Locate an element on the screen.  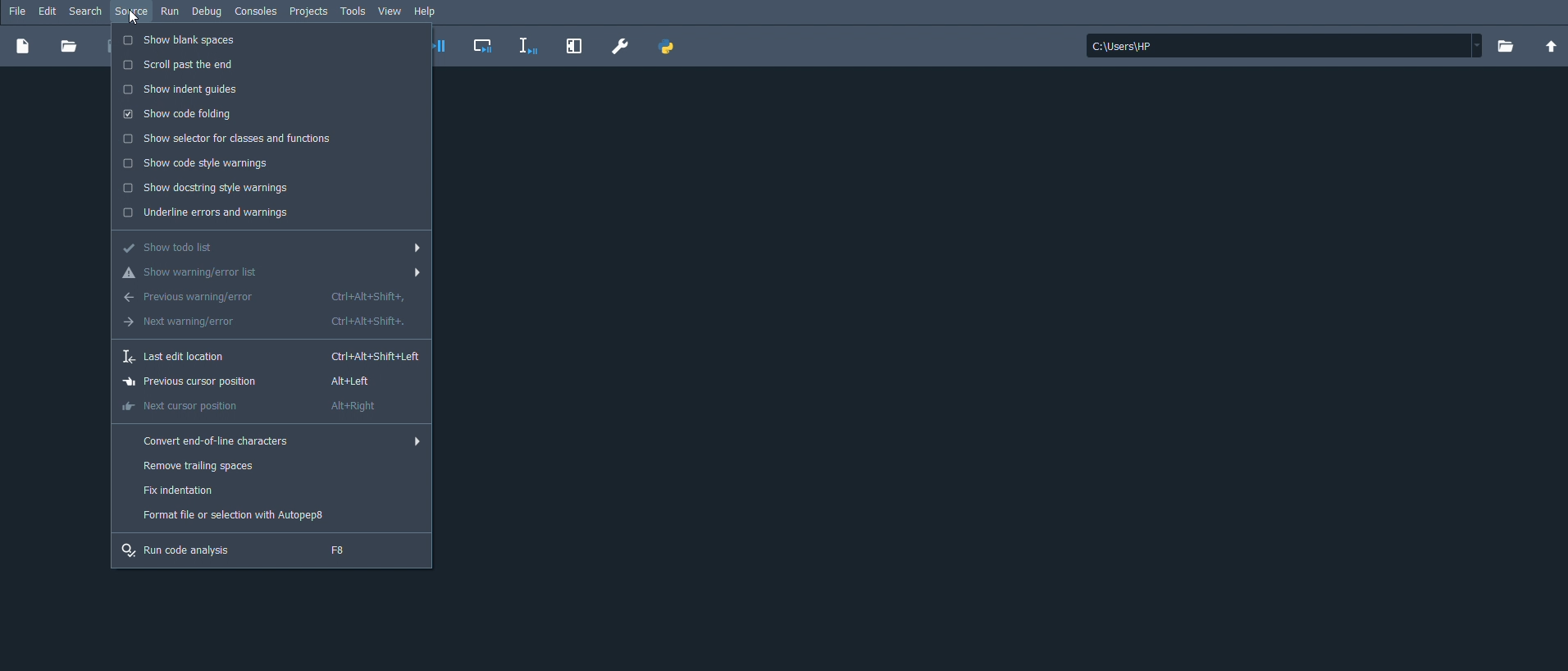
Show todo list is located at coordinates (269, 252).